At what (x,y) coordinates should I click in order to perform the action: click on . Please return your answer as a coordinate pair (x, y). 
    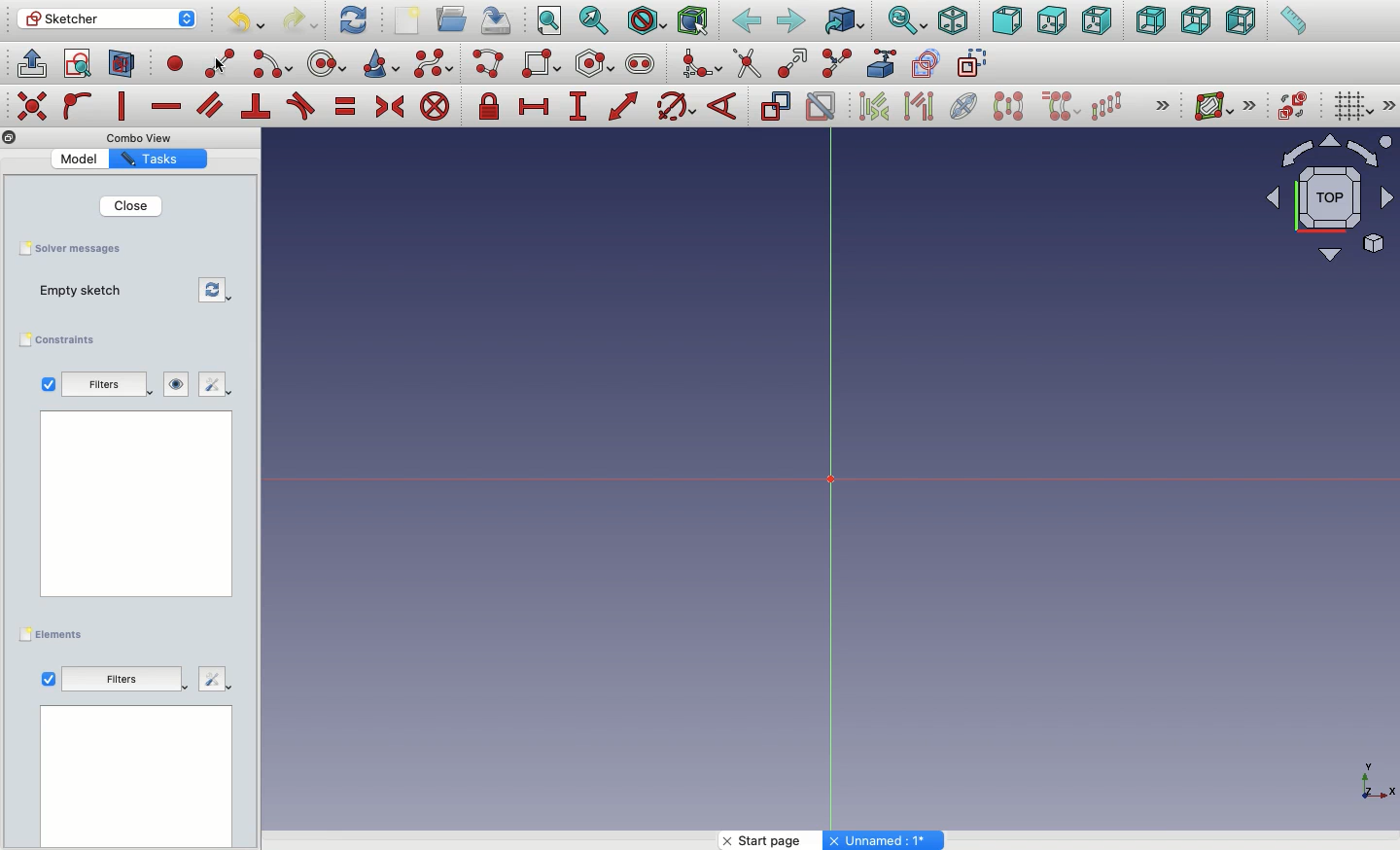
    Looking at the image, I should click on (1389, 105).